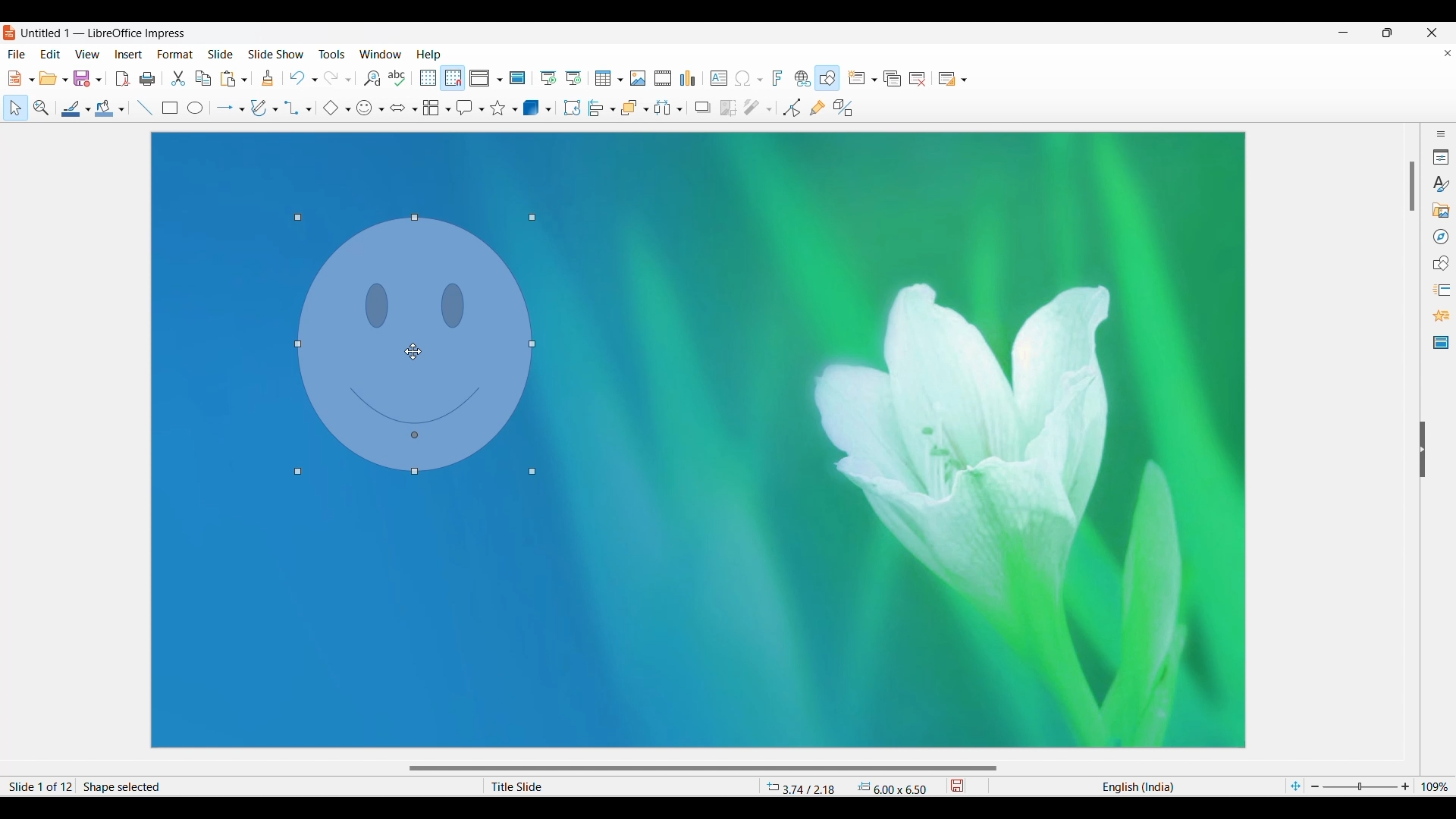 The width and height of the screenshot is (1456, 819). Describe the element at coordinates (751, 108) in the screenshot. I see `Chosen filter` at that location.